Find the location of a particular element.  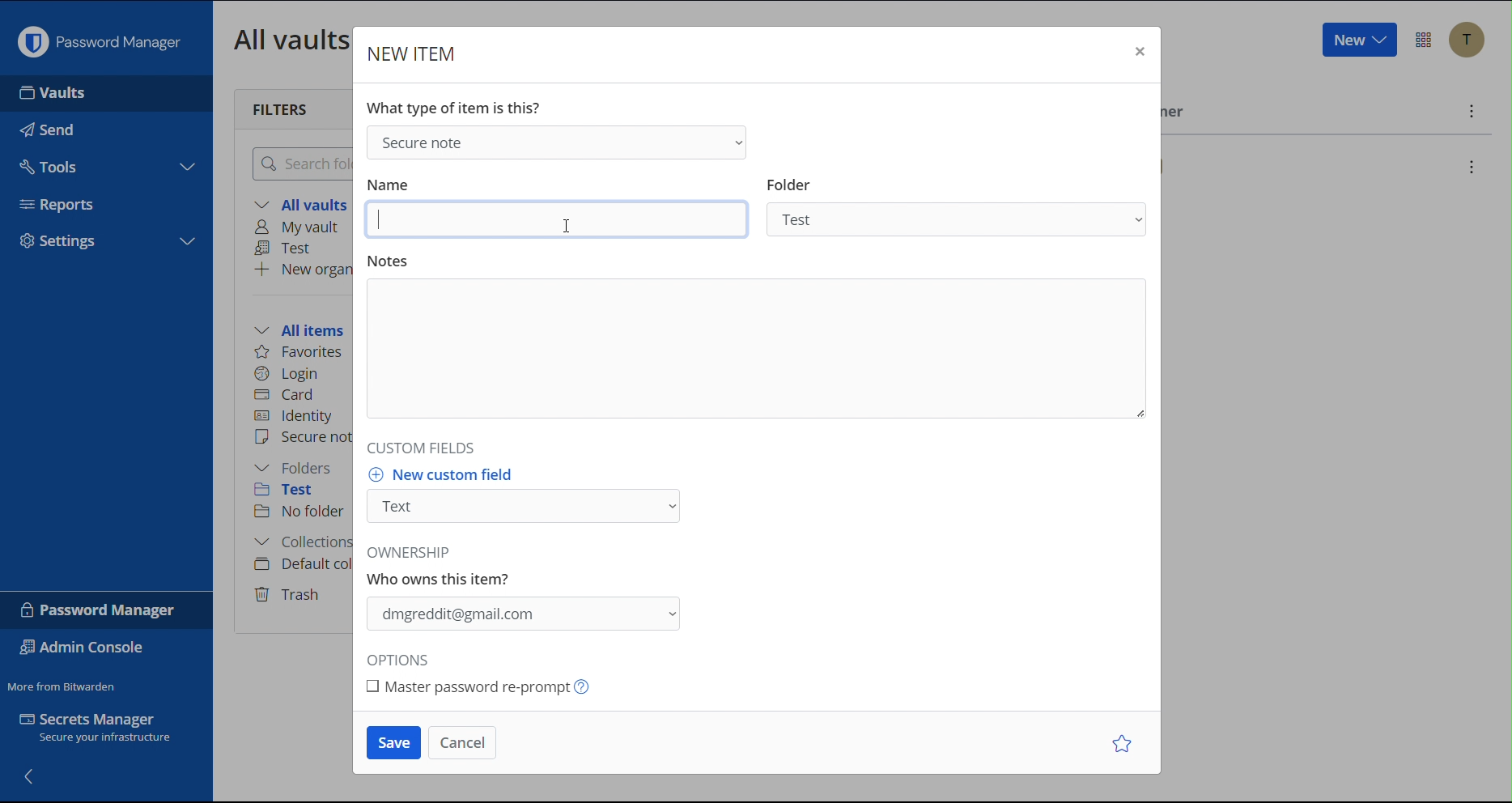

More from Bitwarden is located at coordinates (64, 683).